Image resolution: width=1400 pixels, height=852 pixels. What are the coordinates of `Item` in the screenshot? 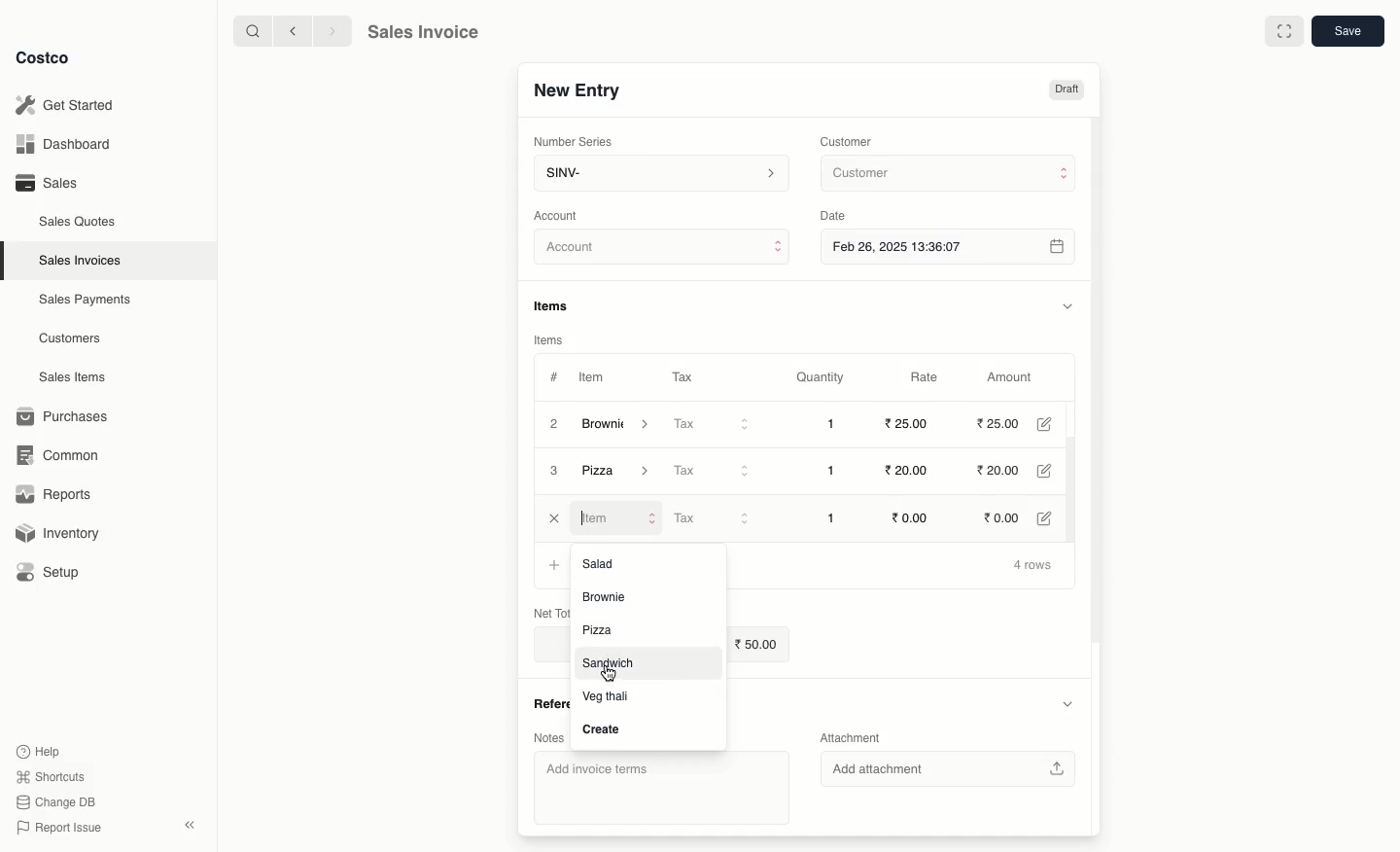 It's located at (594, 379).